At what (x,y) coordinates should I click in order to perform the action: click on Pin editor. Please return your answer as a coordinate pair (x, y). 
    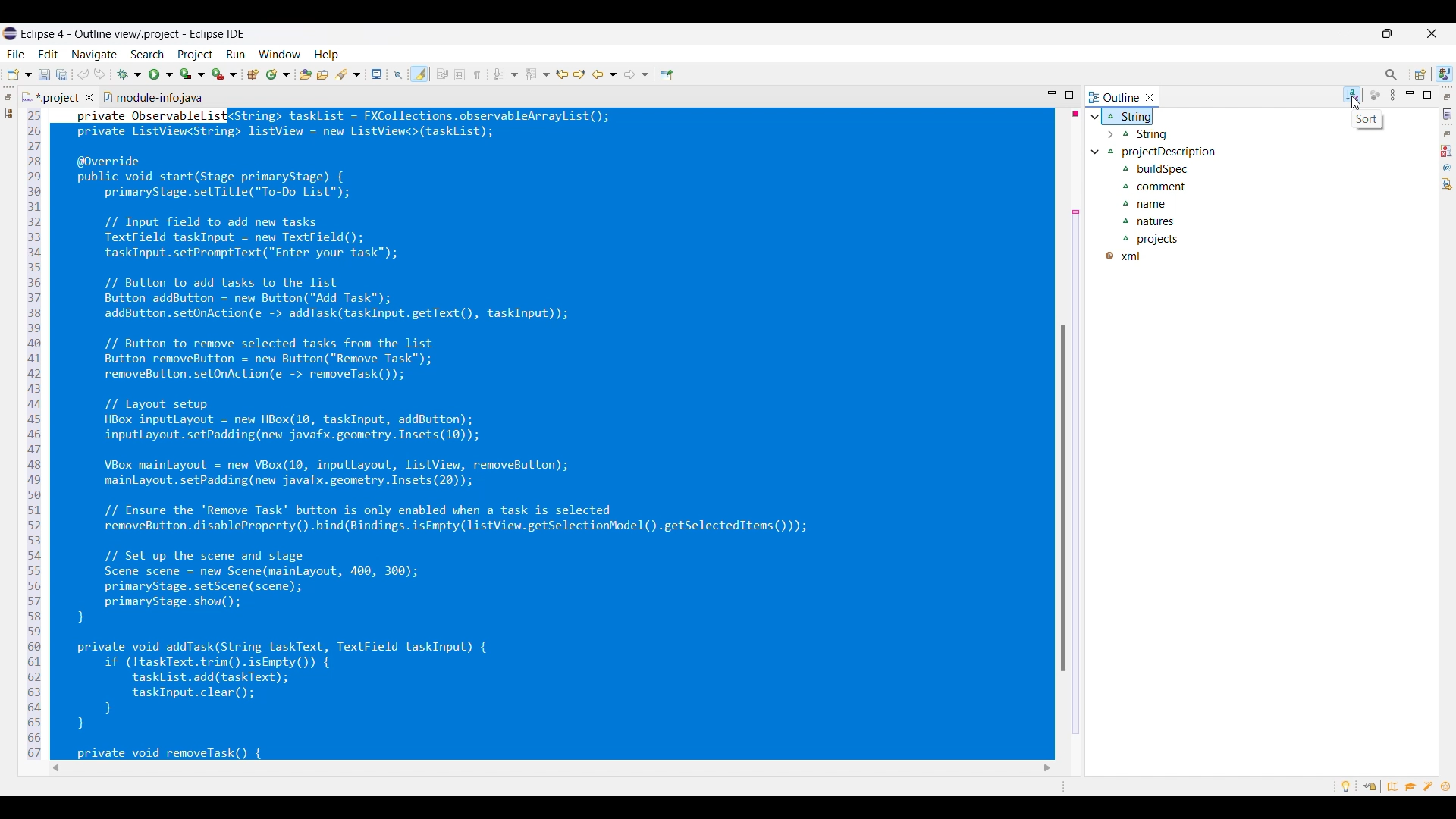
    Looking at the image, I should click on (667, 75).